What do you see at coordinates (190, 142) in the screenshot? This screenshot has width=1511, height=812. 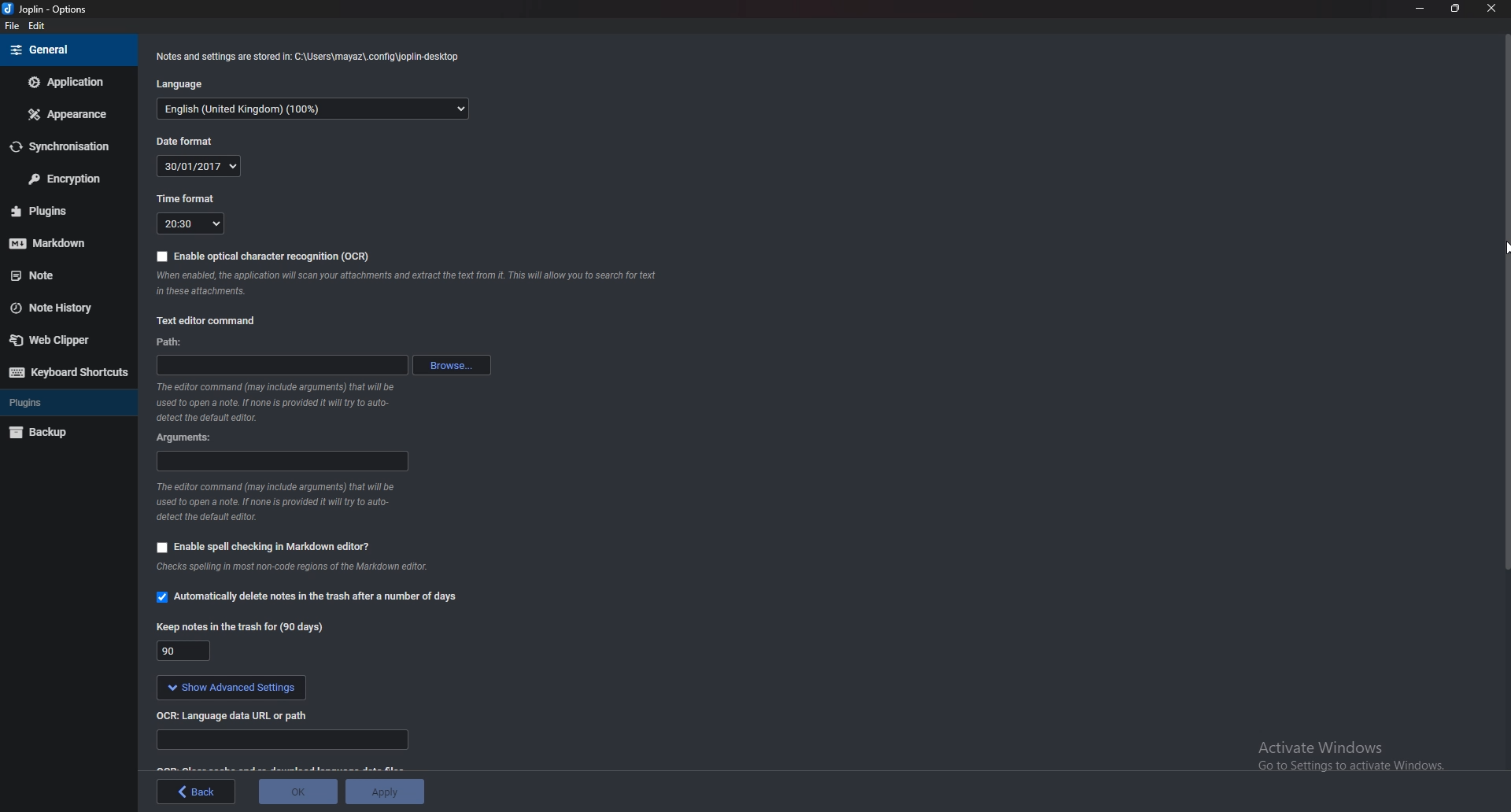 I see `Date format` at bounding box center [190, 142].